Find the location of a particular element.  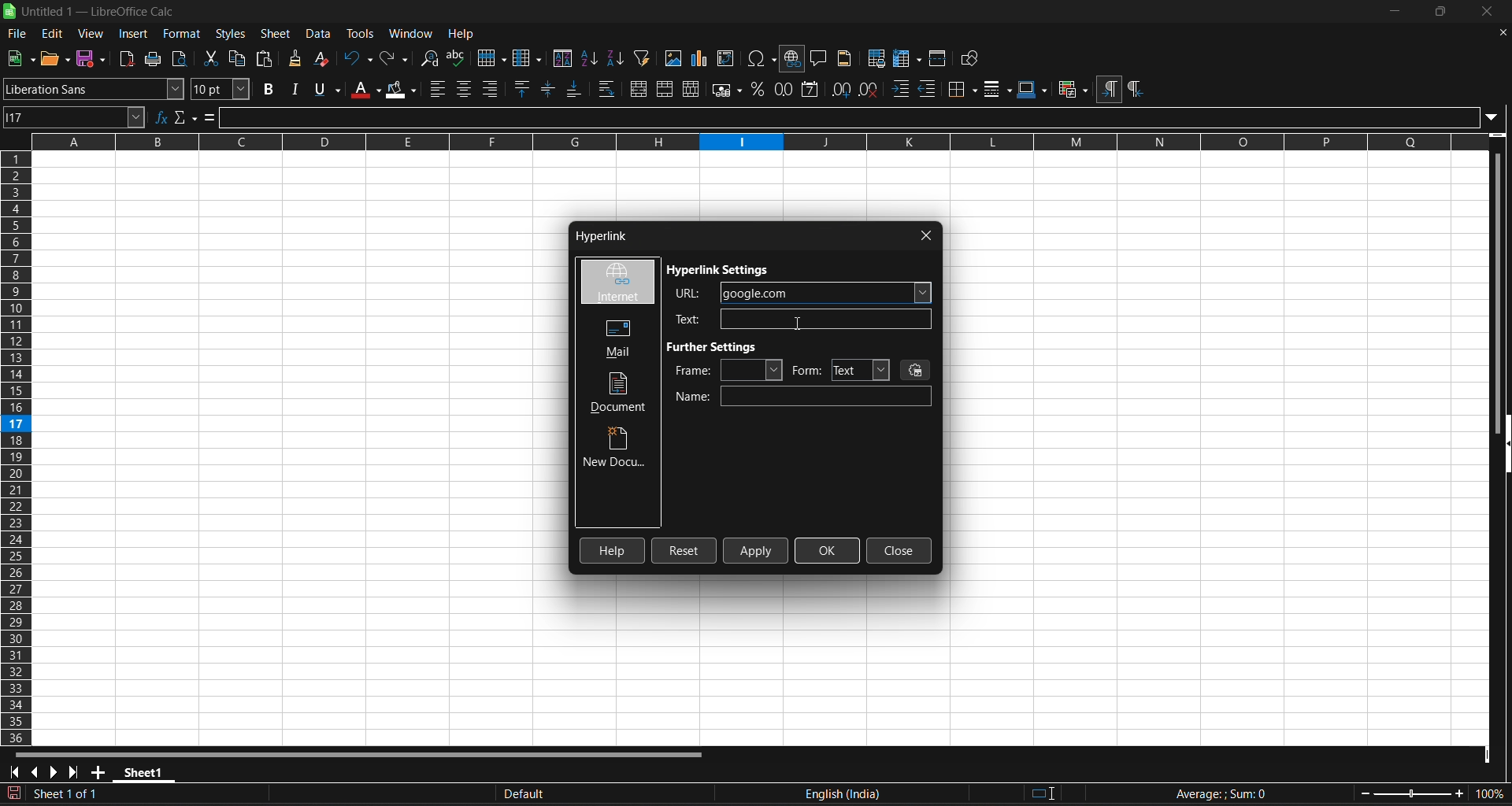

title is located at coordinates (99, 12).